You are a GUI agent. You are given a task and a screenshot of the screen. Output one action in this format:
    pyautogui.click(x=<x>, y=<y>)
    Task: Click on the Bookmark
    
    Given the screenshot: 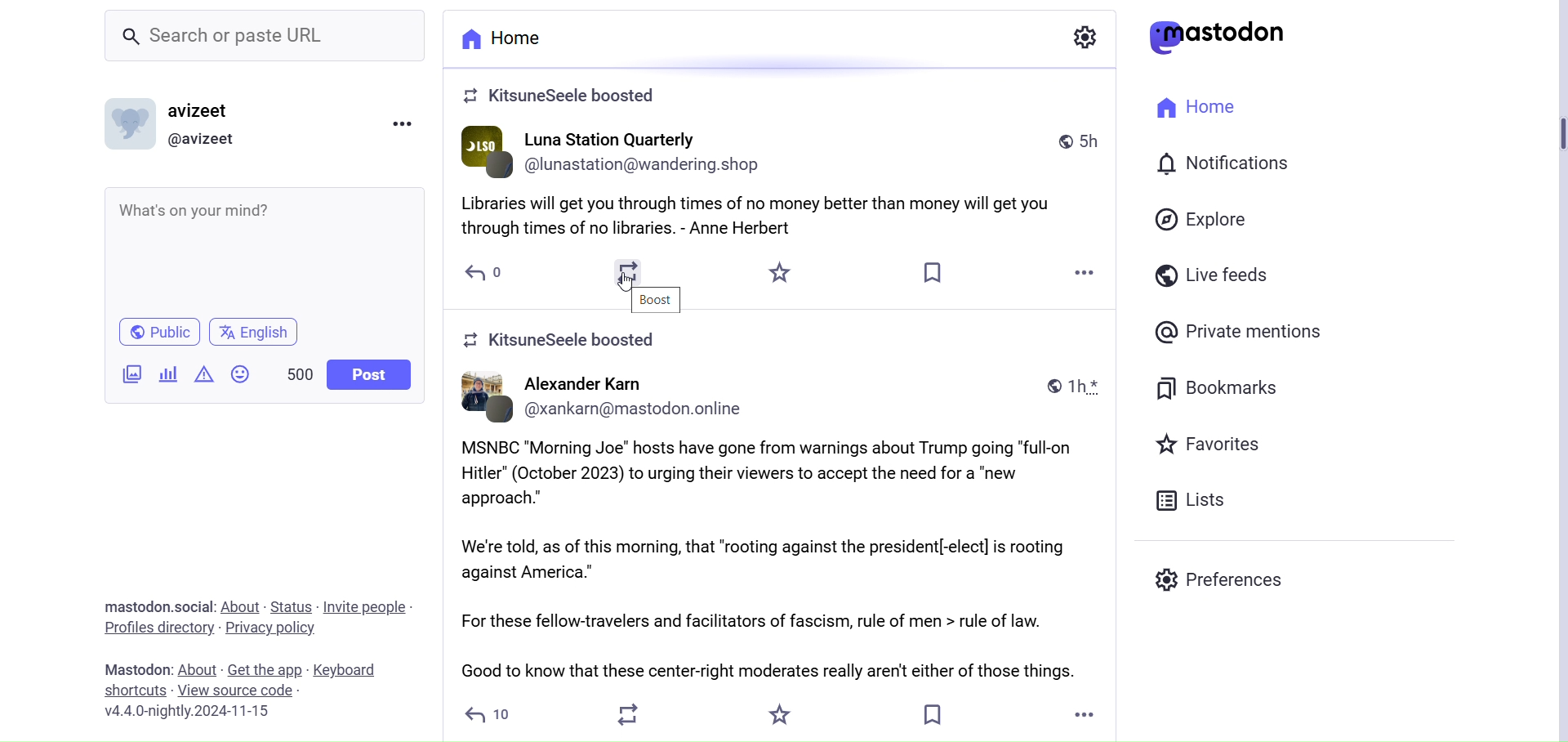 What is the action you would take?
    pyautogui.click(x=934, y=271)
    